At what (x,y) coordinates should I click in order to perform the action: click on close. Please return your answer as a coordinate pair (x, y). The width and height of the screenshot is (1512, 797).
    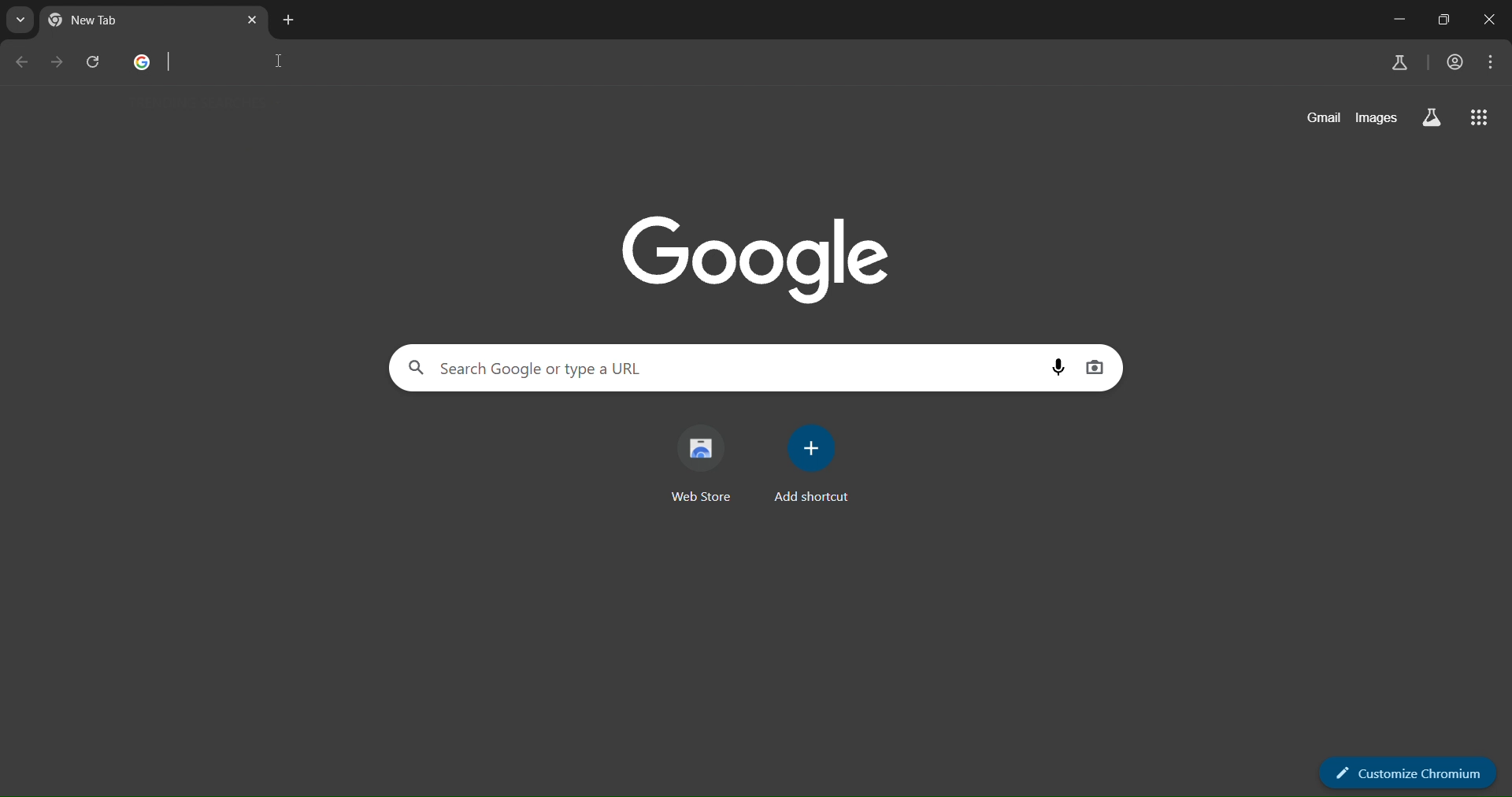
    Looking at the image, I should click on (1491, 20).